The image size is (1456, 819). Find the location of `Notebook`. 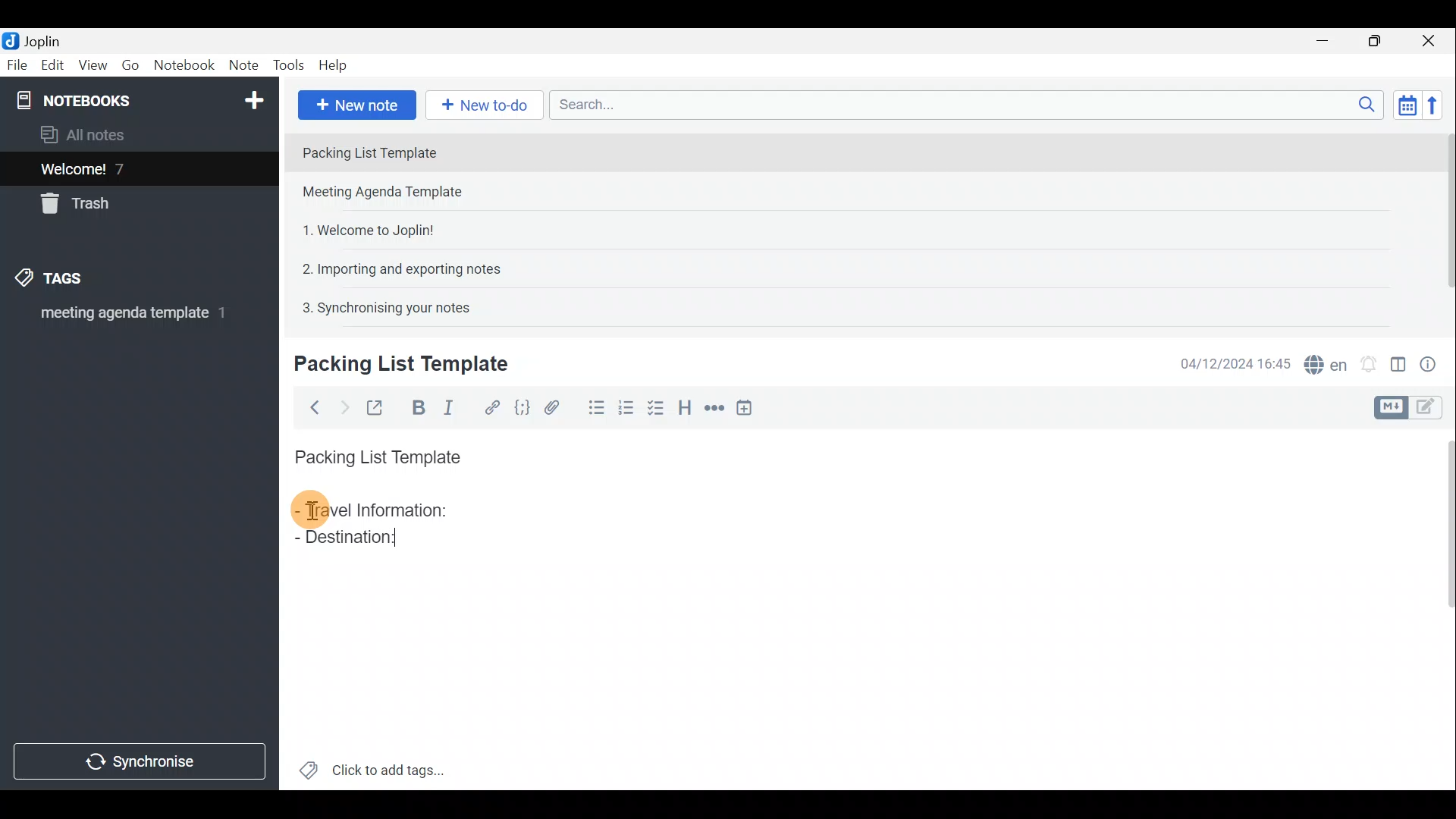

Notebook is located at coordinates (184, 67).